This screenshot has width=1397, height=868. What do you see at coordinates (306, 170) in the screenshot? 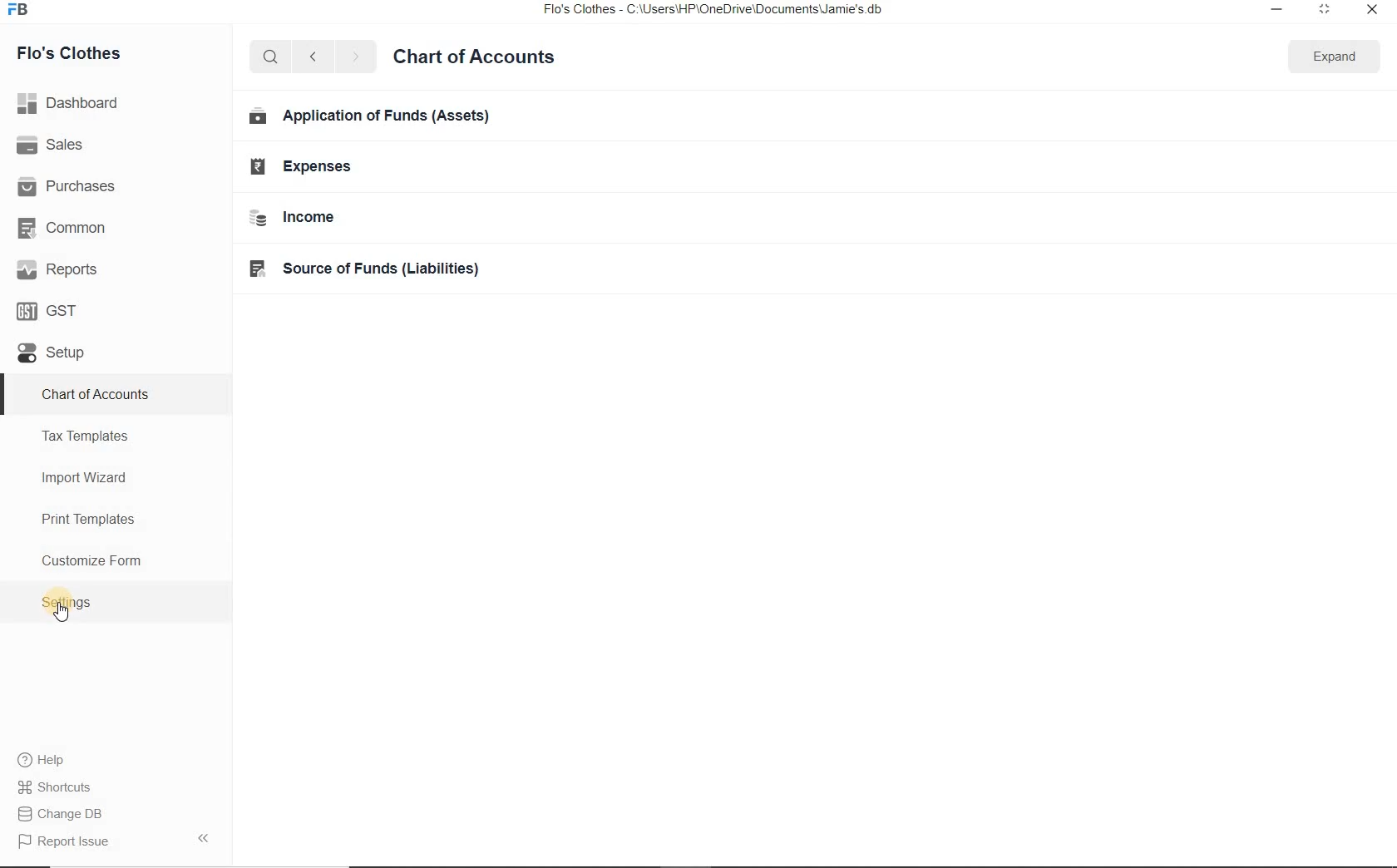
I see `EH Expenses` at bounding box center [306, 170].